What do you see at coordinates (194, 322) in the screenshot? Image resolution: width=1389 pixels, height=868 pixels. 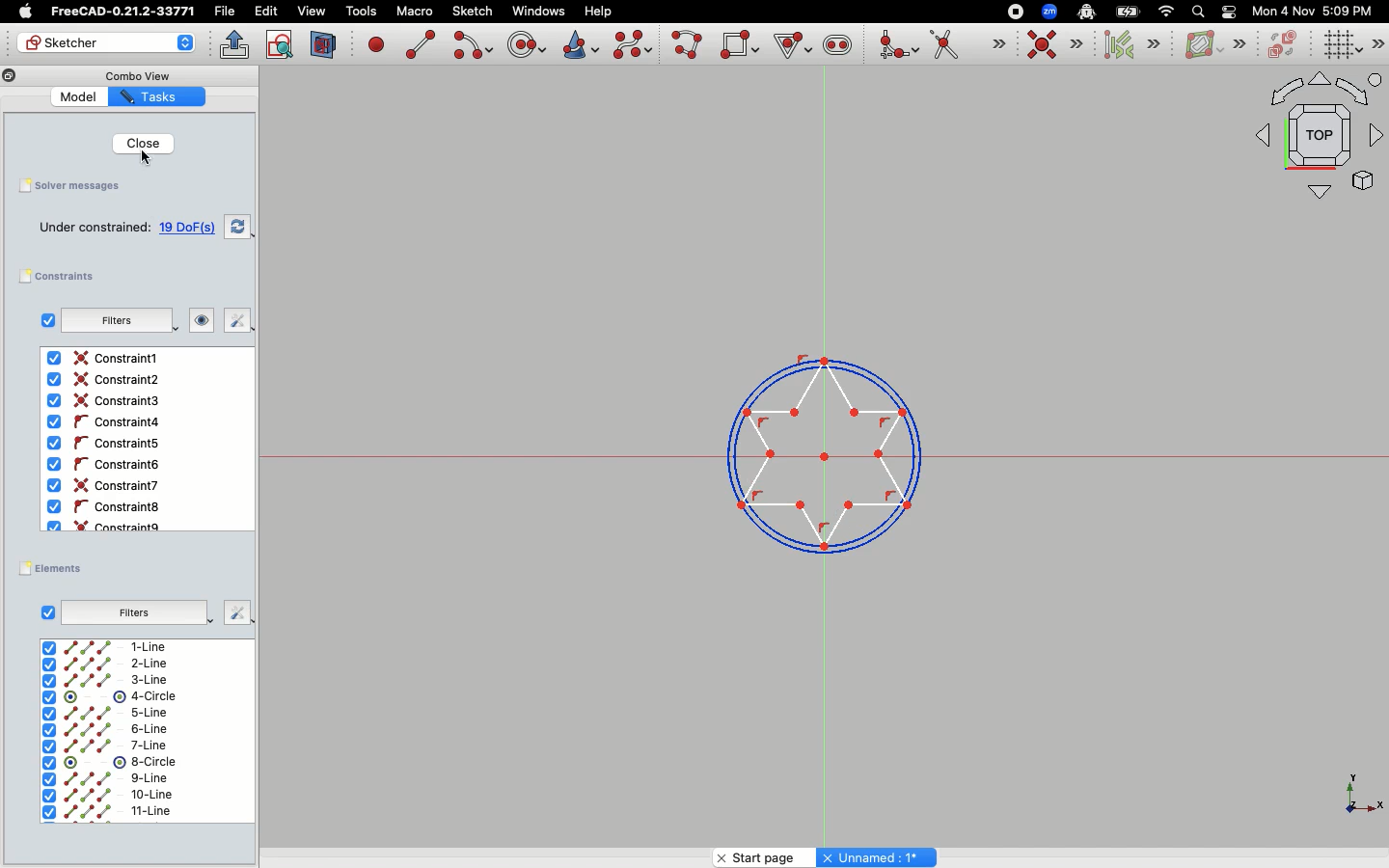 I see `Look` at bounding box center [194, 322].